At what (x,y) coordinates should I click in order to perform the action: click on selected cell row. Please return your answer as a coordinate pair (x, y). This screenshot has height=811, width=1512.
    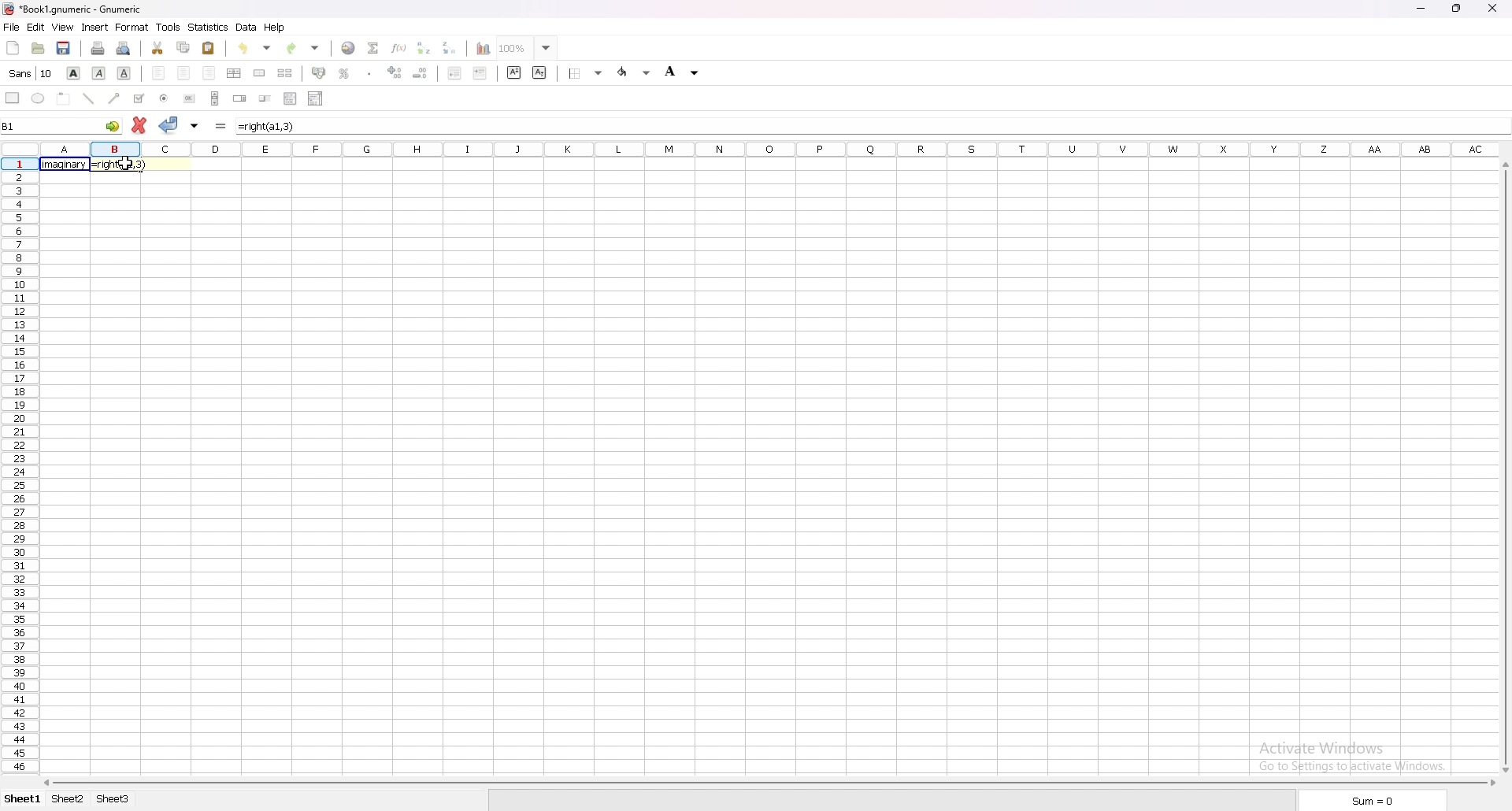
    Looking at the image, I should click on (20, 164).